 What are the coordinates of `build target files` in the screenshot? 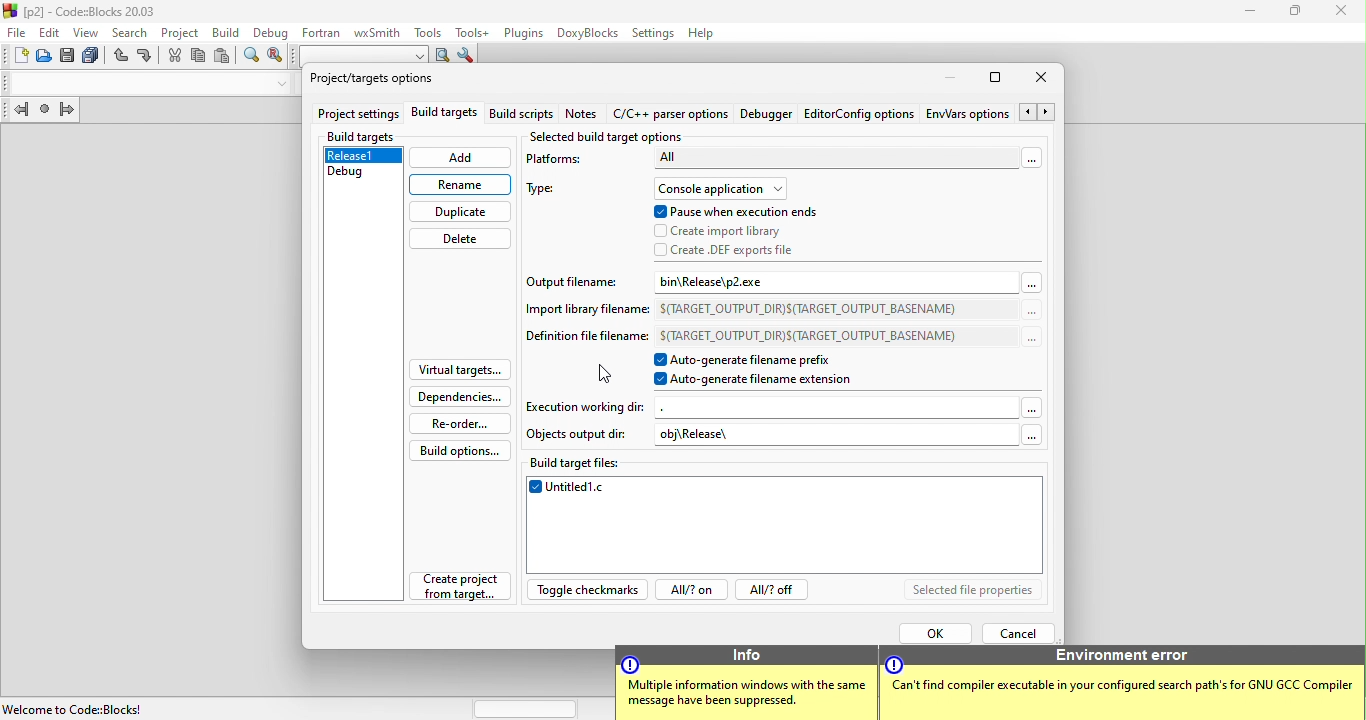 It's located at (786, 466).